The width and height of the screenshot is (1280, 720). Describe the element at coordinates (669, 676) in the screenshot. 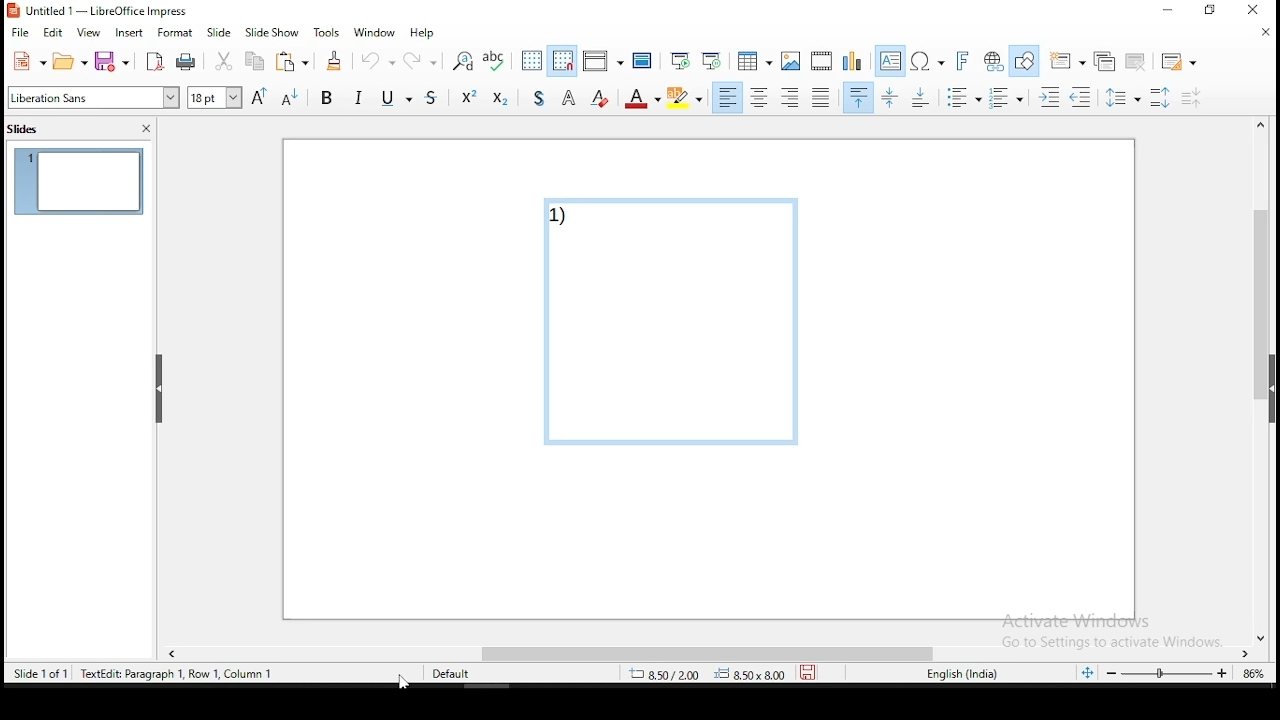

I see `20.49/-0.77` at that location.